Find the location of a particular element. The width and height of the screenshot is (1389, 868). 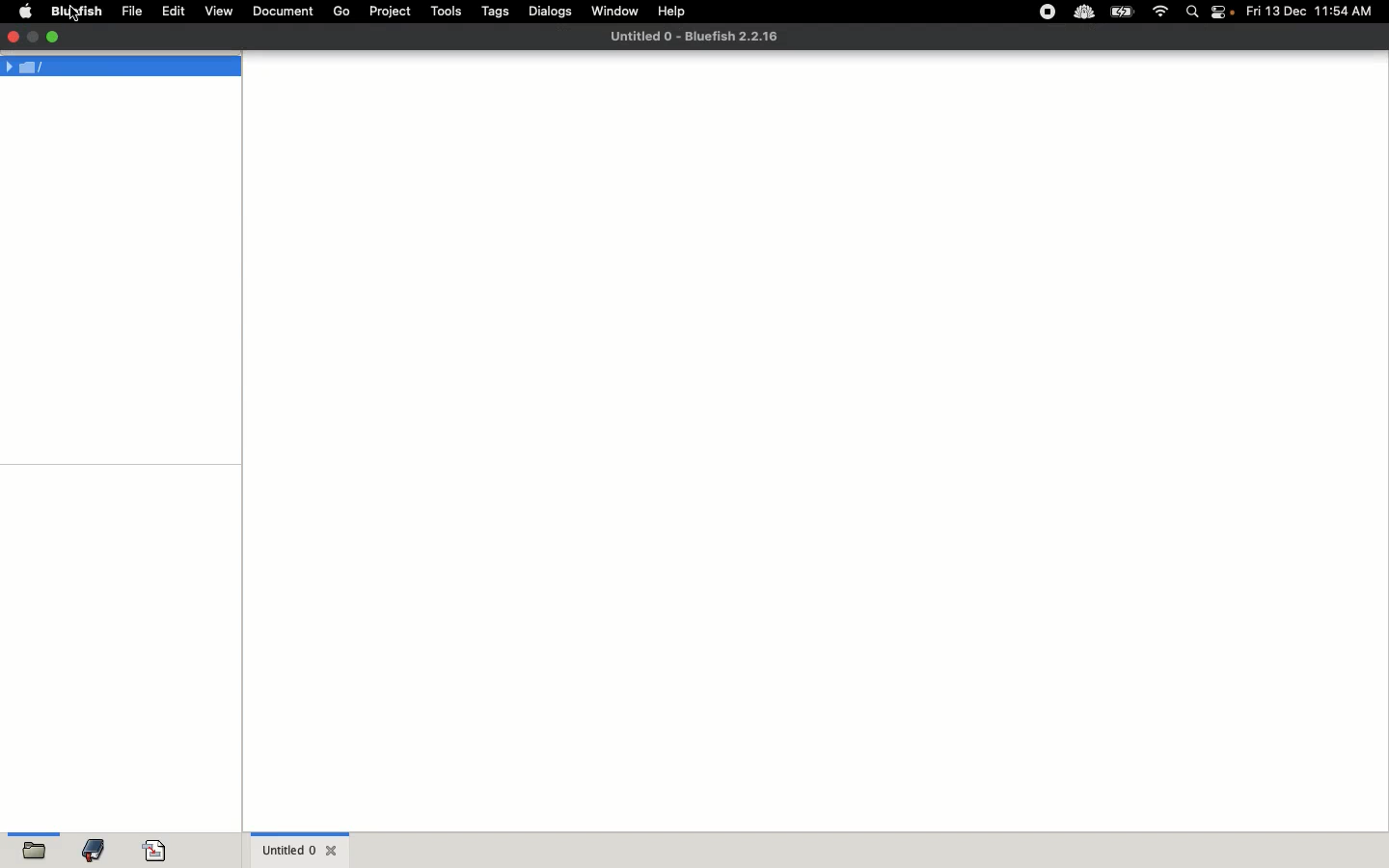

View is located at coordinates (221, 12).